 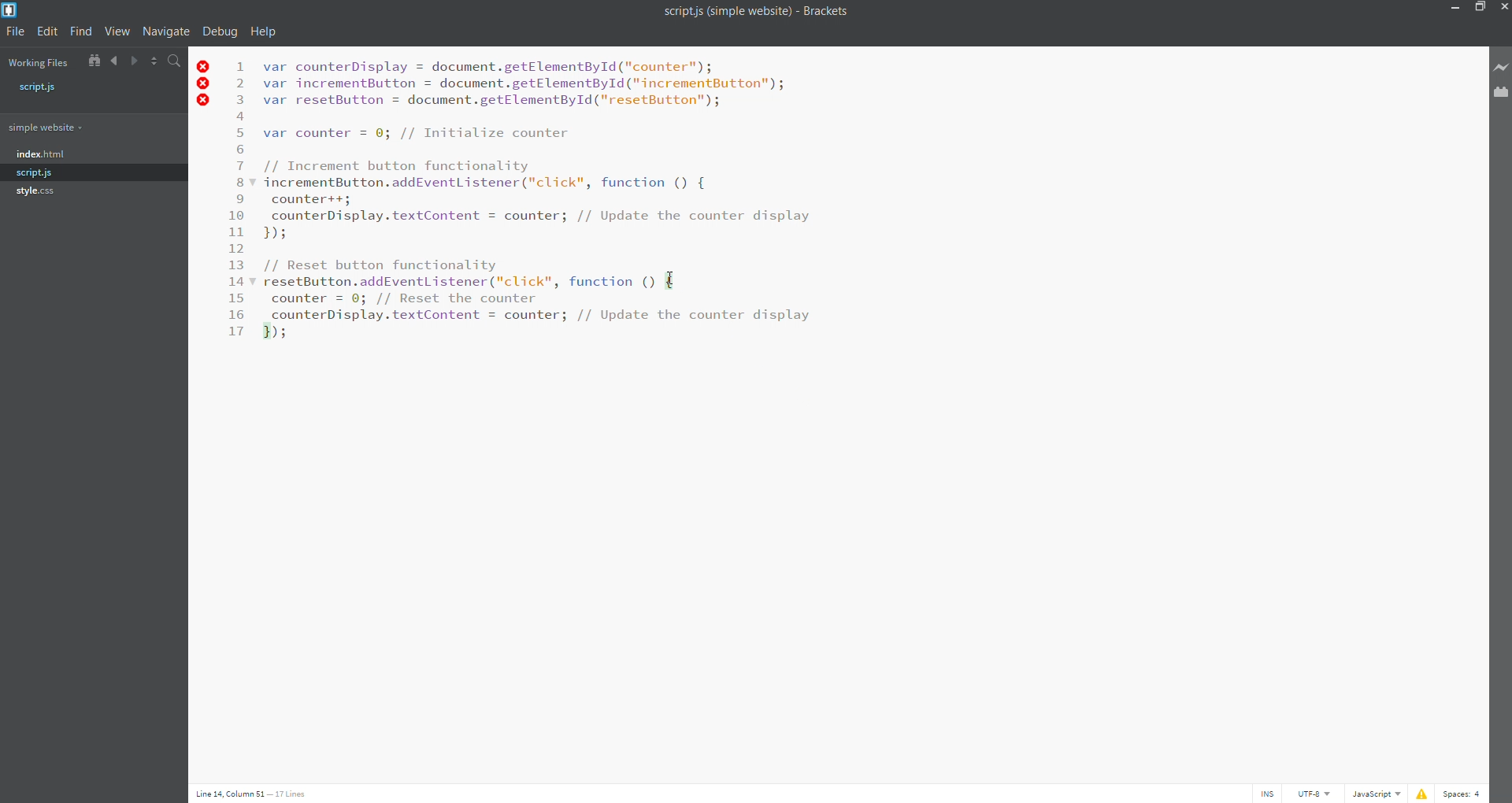 What do you see at coordinates (1480, 7) in the screenshot?
I see `maximize/restore` at bounding box center [1480, 7].